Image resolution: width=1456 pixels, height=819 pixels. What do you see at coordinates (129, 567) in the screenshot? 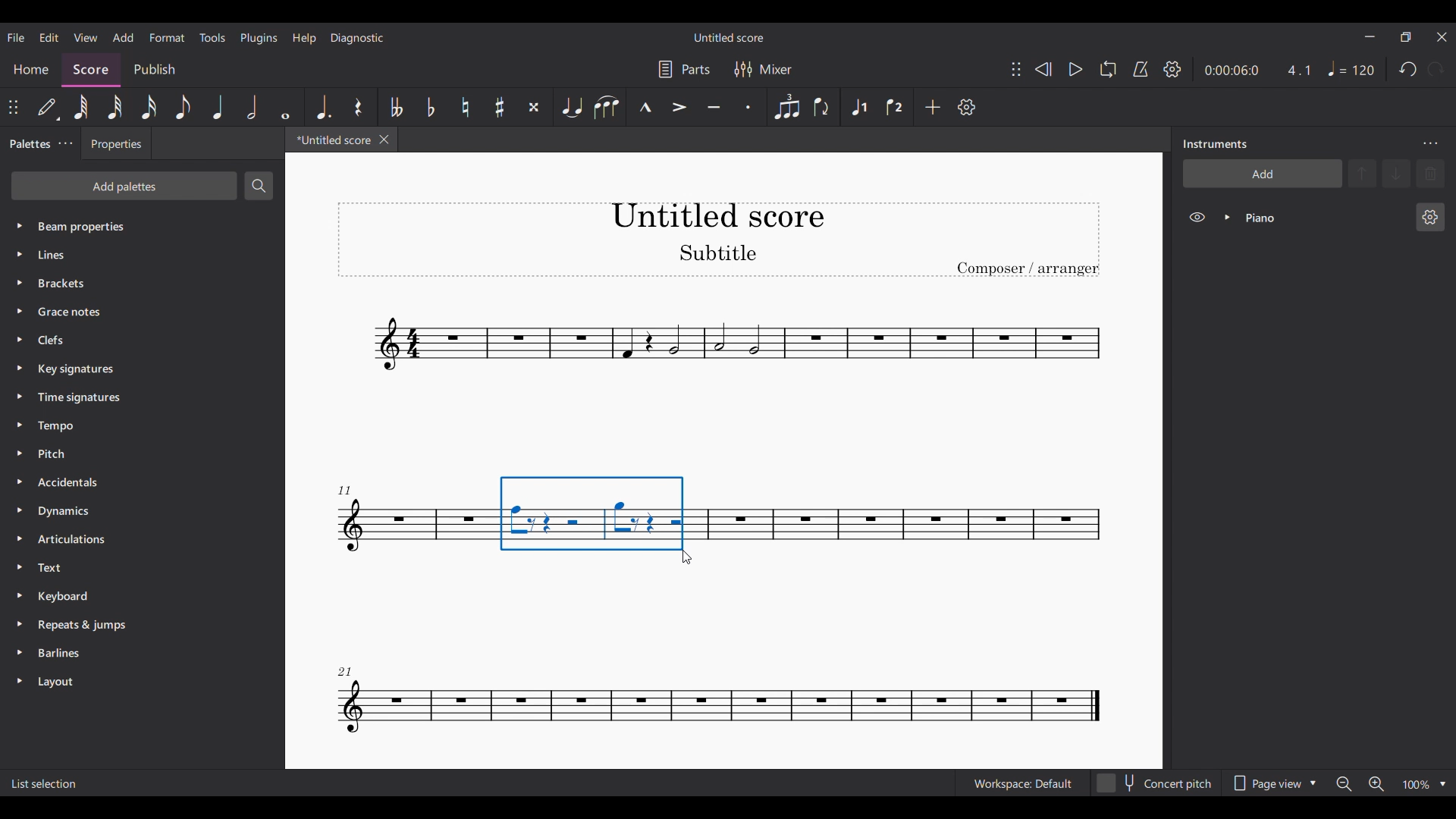
I see `Text` at bounding box center [129, 567].